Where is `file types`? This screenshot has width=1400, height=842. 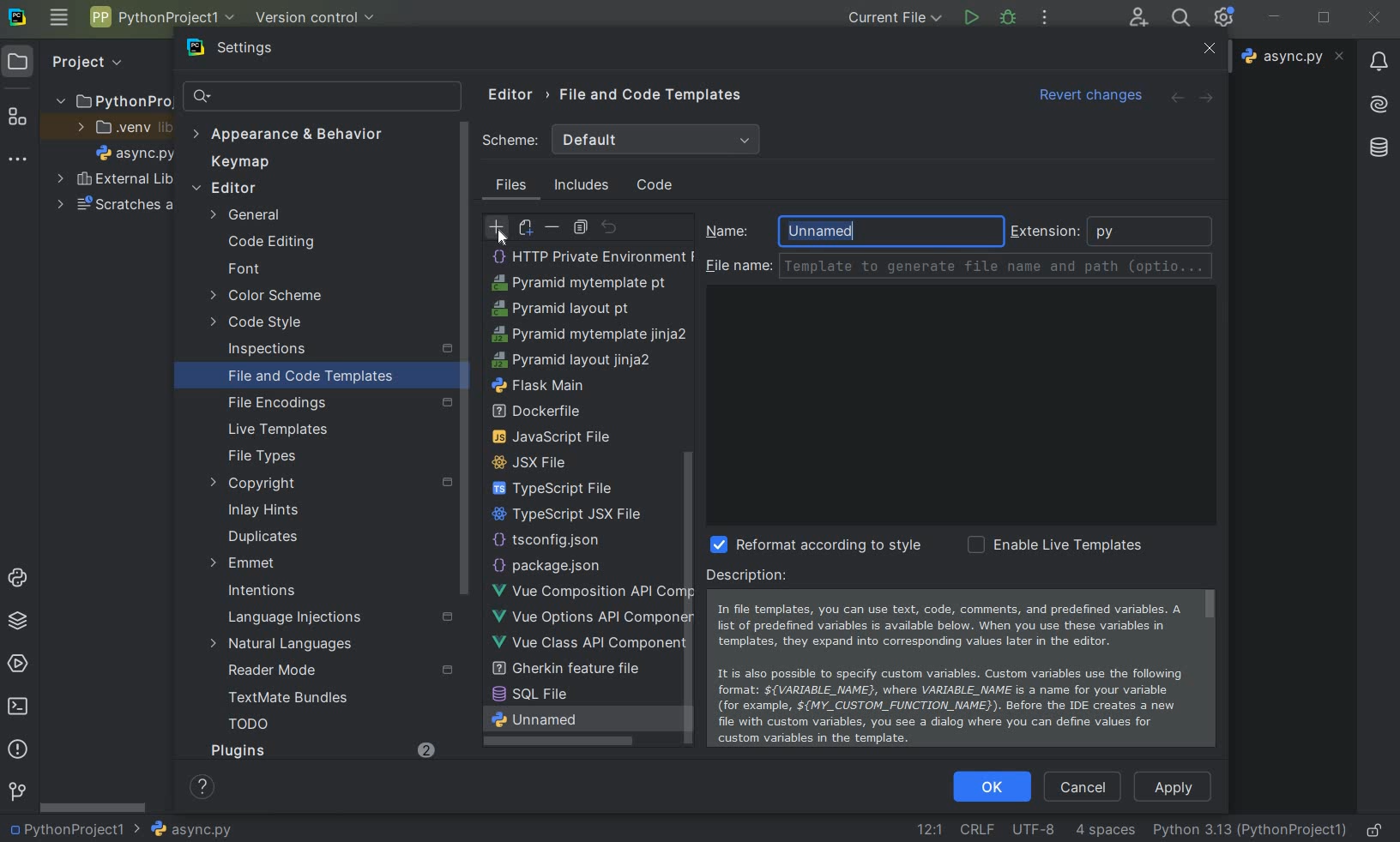 file types is located at coordinates (287, 456).